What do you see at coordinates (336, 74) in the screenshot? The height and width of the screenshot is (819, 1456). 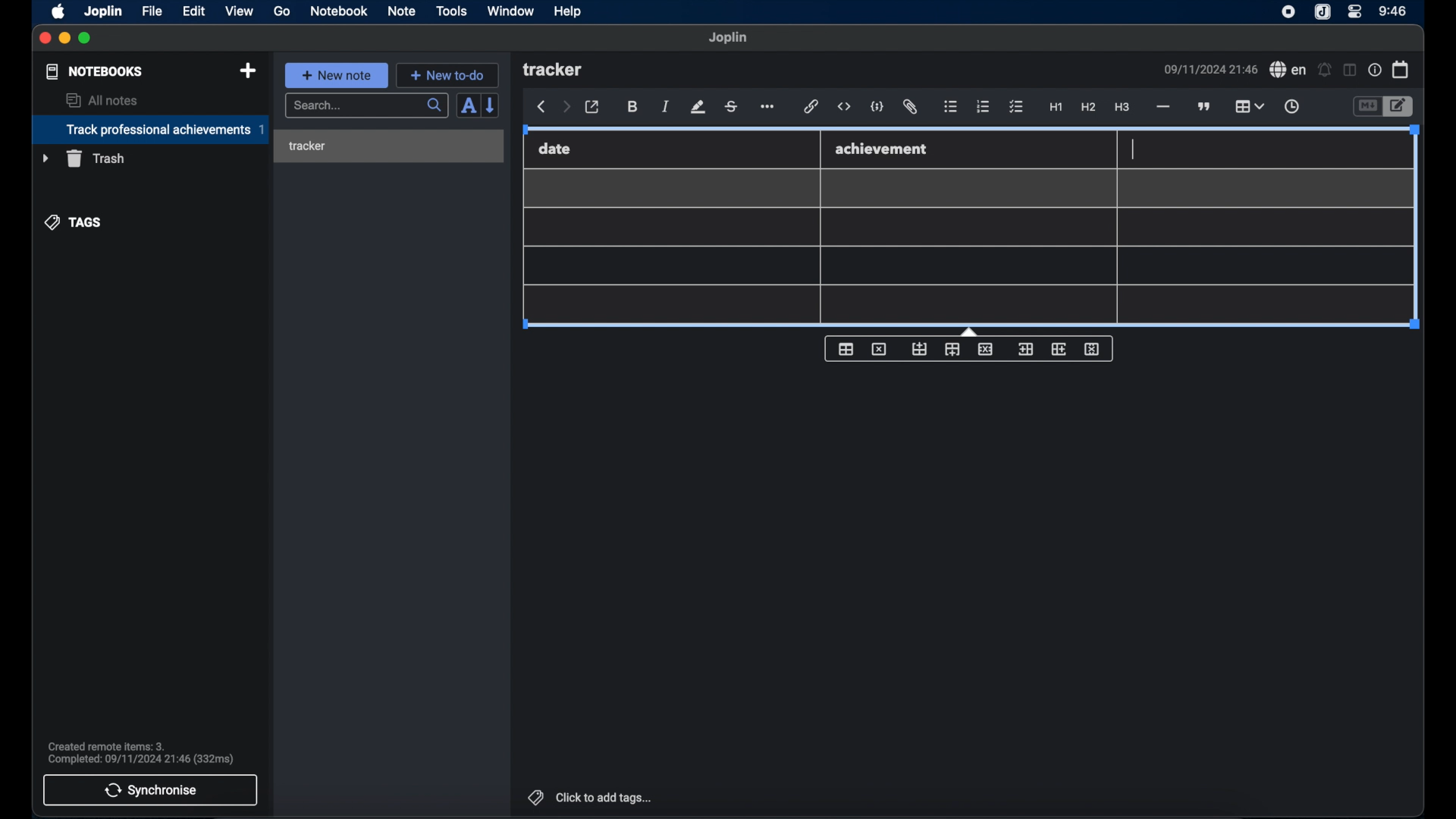 I see `new note` at bounding box center [336, 74].